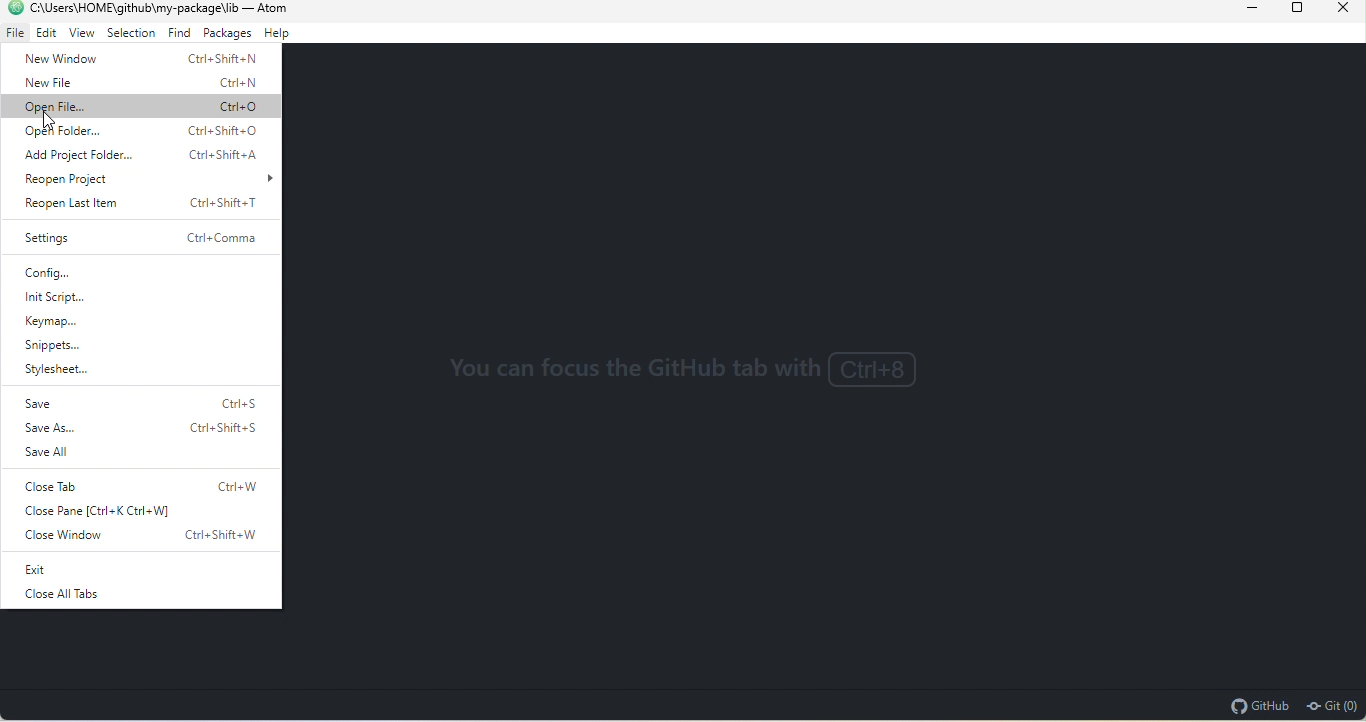 The height and width of the screenshot is (722, 1366). What do you see at coordinates (131, 35) in the screenshot?
I see `selection` at bounding box center [131, 35].